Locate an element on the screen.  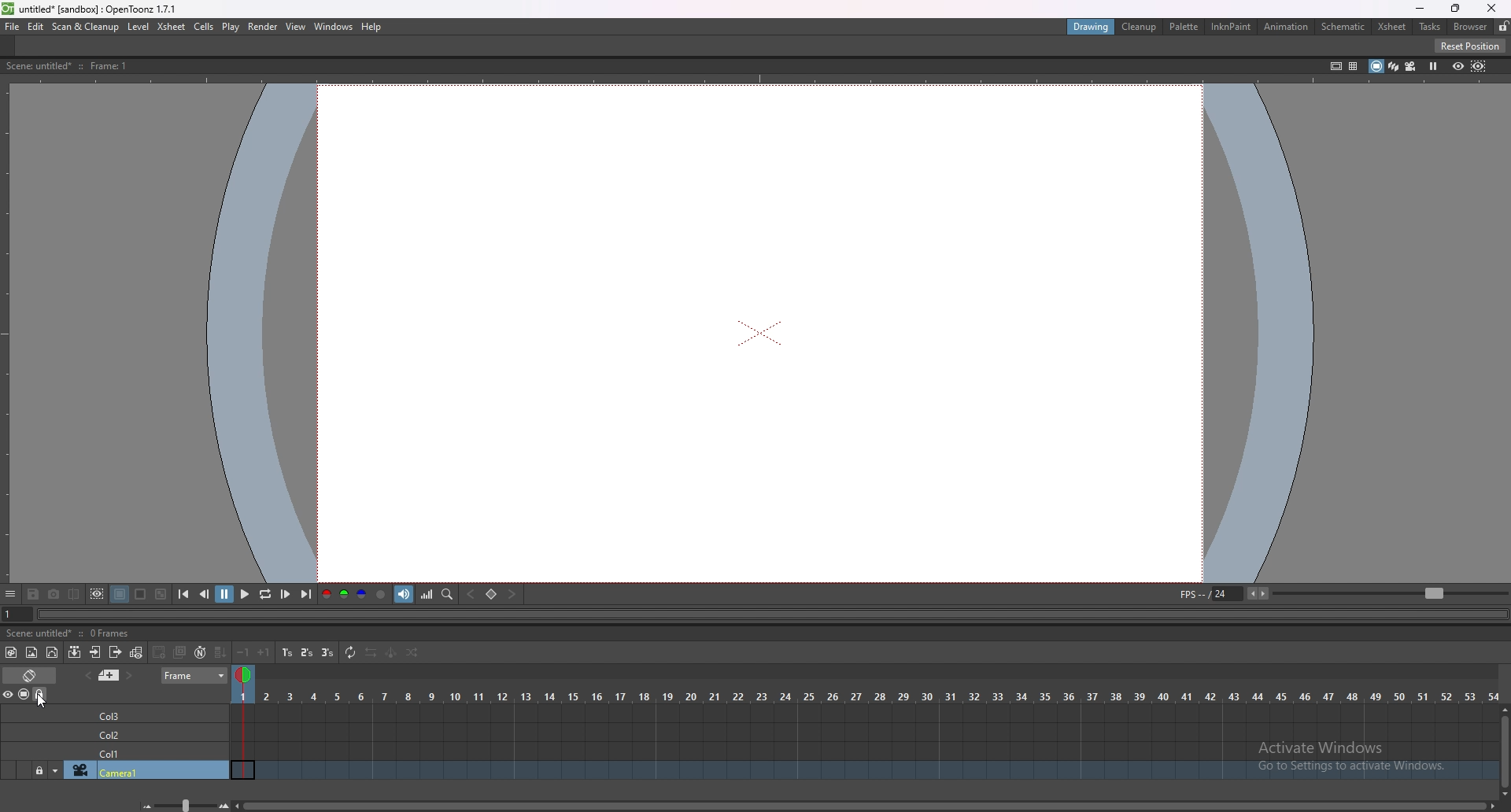
time selector is located at coordinates (246, 677).